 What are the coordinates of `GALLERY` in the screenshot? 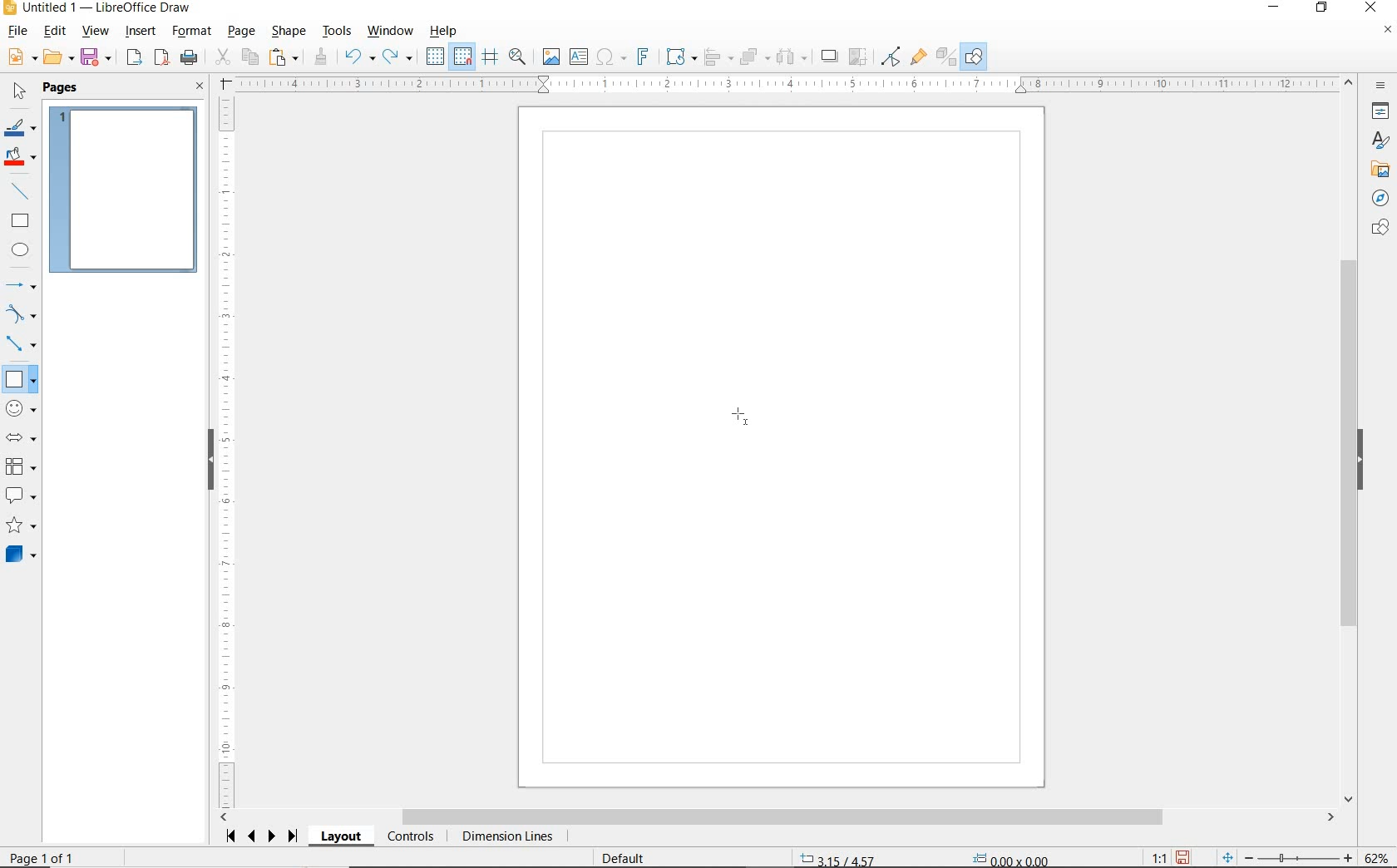 It's located at (1378, 168).